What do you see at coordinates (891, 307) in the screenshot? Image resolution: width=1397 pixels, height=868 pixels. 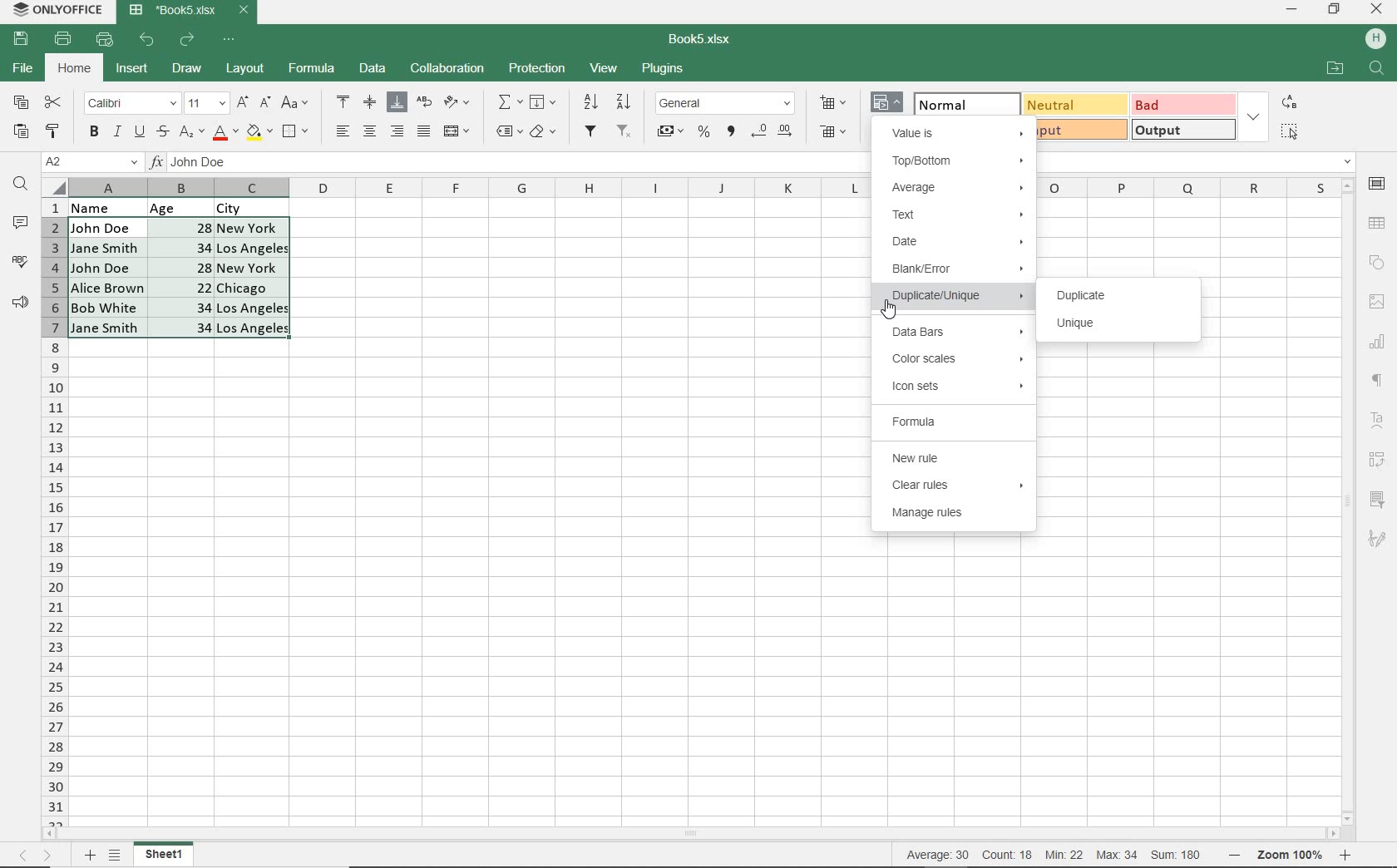 I see `cursor` at bounding box center [891, 307].